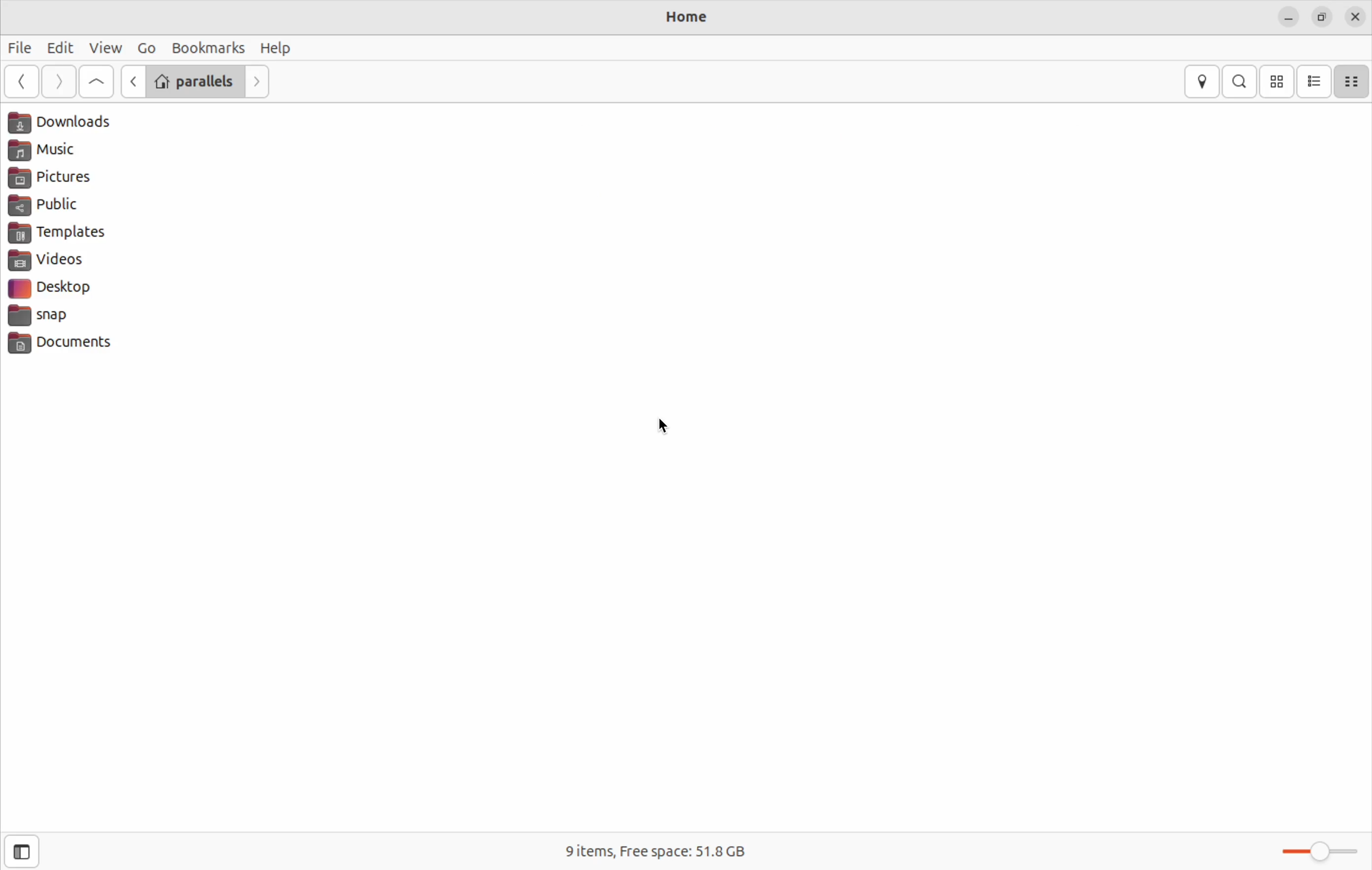 This screenshot has width=1372, height=870. I want to click on parallels, so click(196, 80).